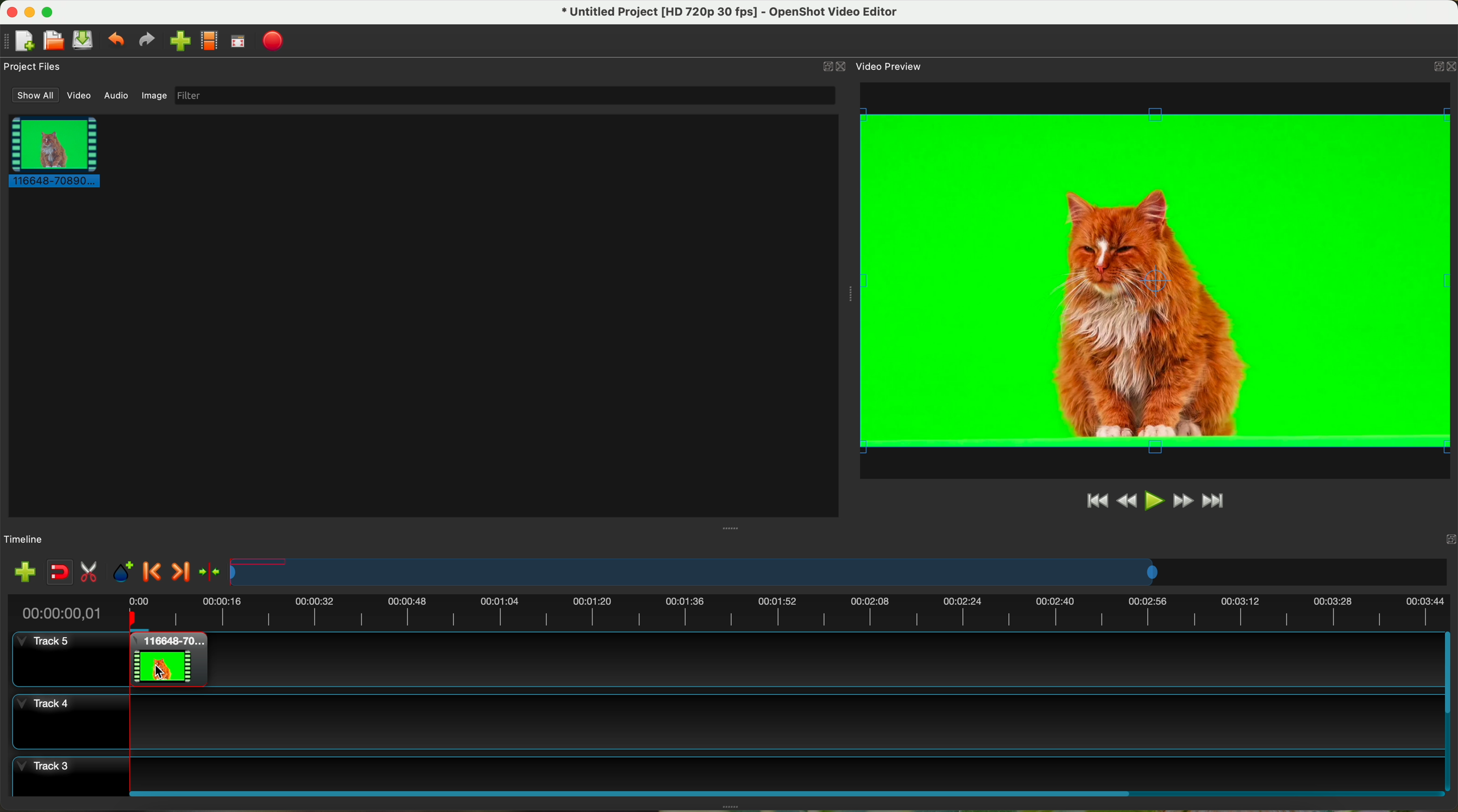 This screenshot has width=1458, height=812. What do you see at coordinates (726, 771) in the screenshot?
I see `track 3` at bounding box center [726, 771].